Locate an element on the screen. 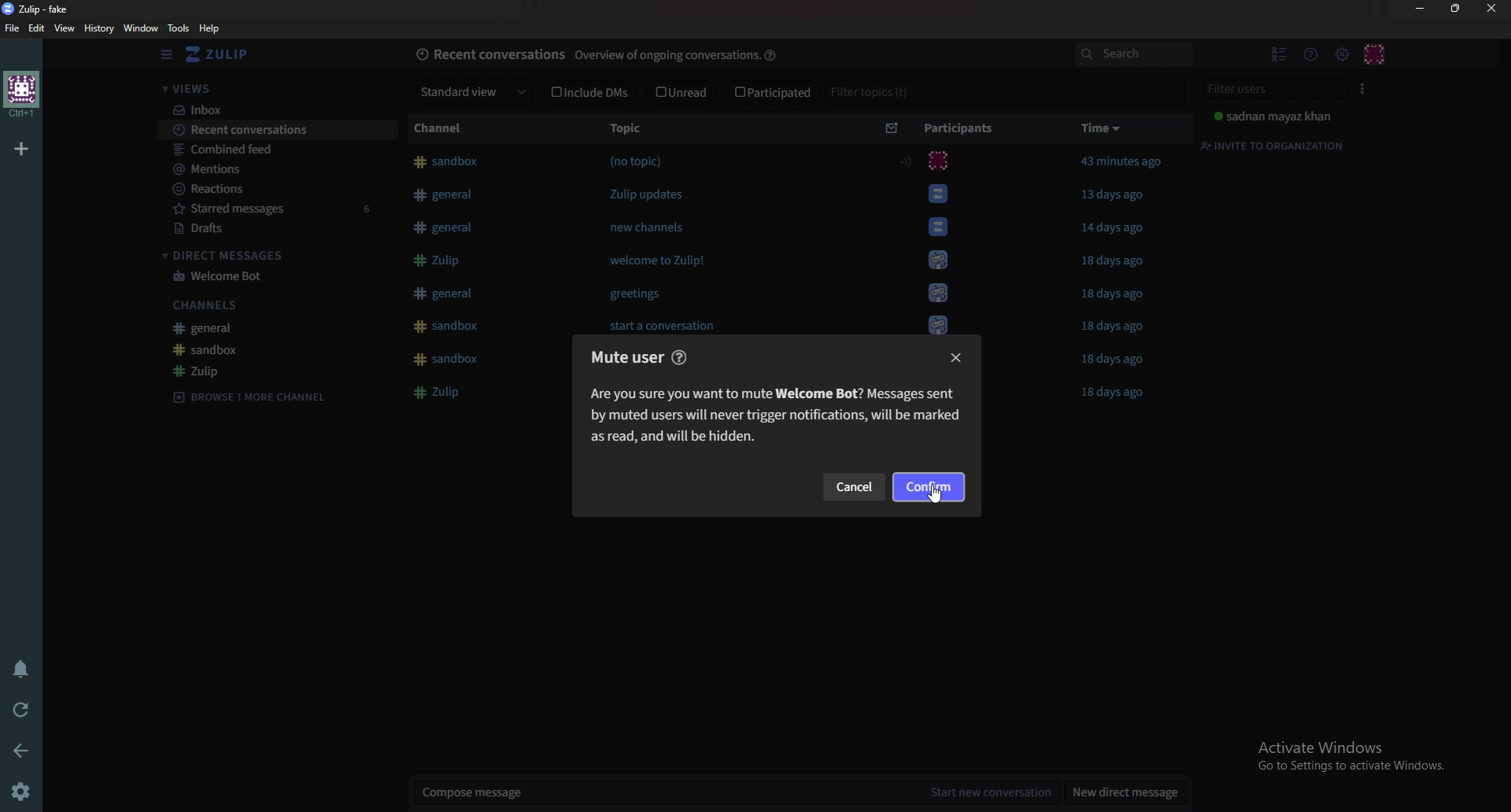 The height and width of the screenshot is (812, 1511). New direct message is located at coordinates (1125, 789).